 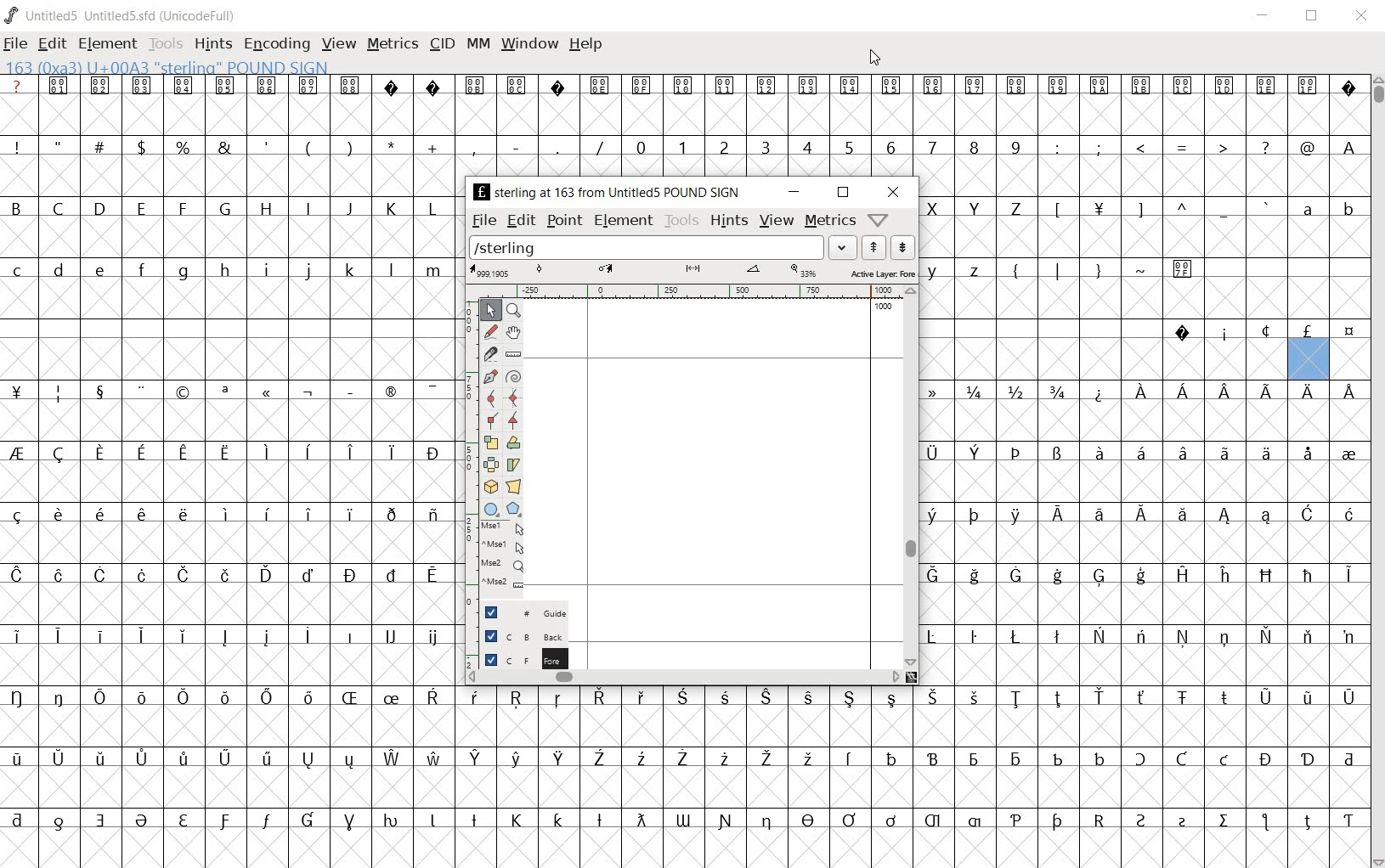 I want to click on Symbol, so click(x=1143, y=699).